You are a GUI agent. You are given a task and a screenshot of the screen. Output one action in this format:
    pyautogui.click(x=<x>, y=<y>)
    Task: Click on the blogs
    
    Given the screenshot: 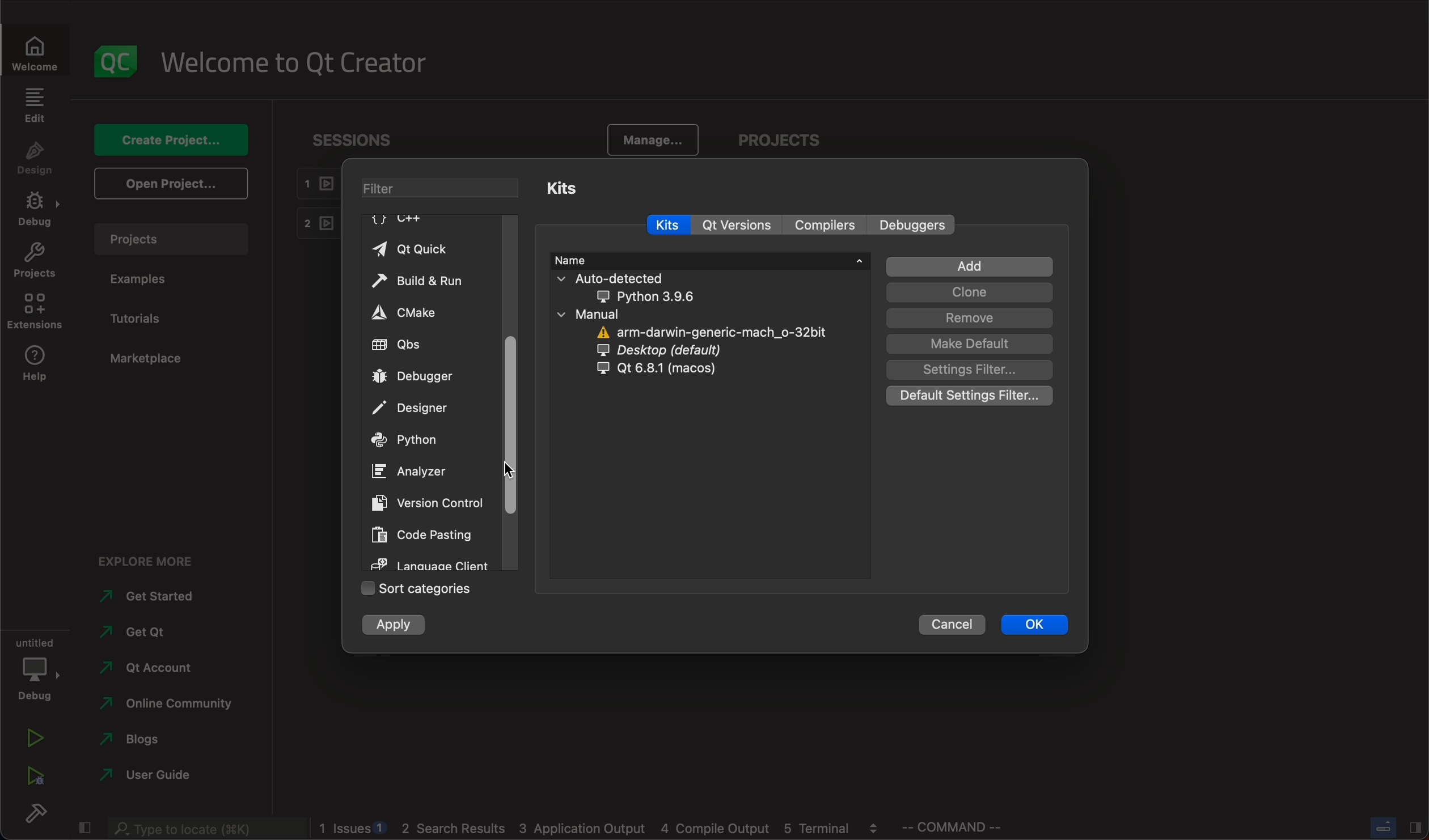 What is the action you would take?
    pyautogui.click(x=141, y=738)
    